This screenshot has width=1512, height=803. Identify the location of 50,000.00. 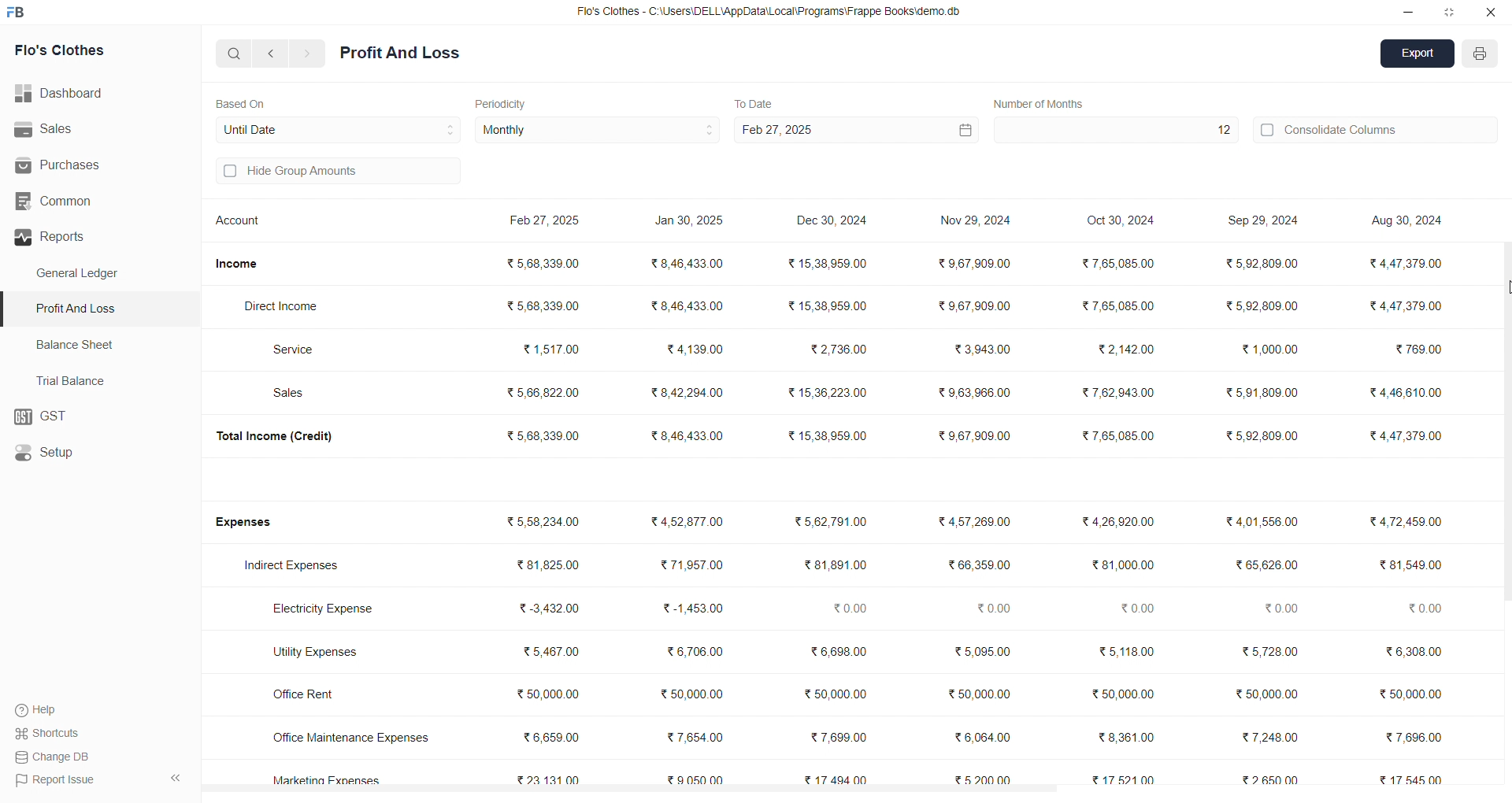
(1403, 696).